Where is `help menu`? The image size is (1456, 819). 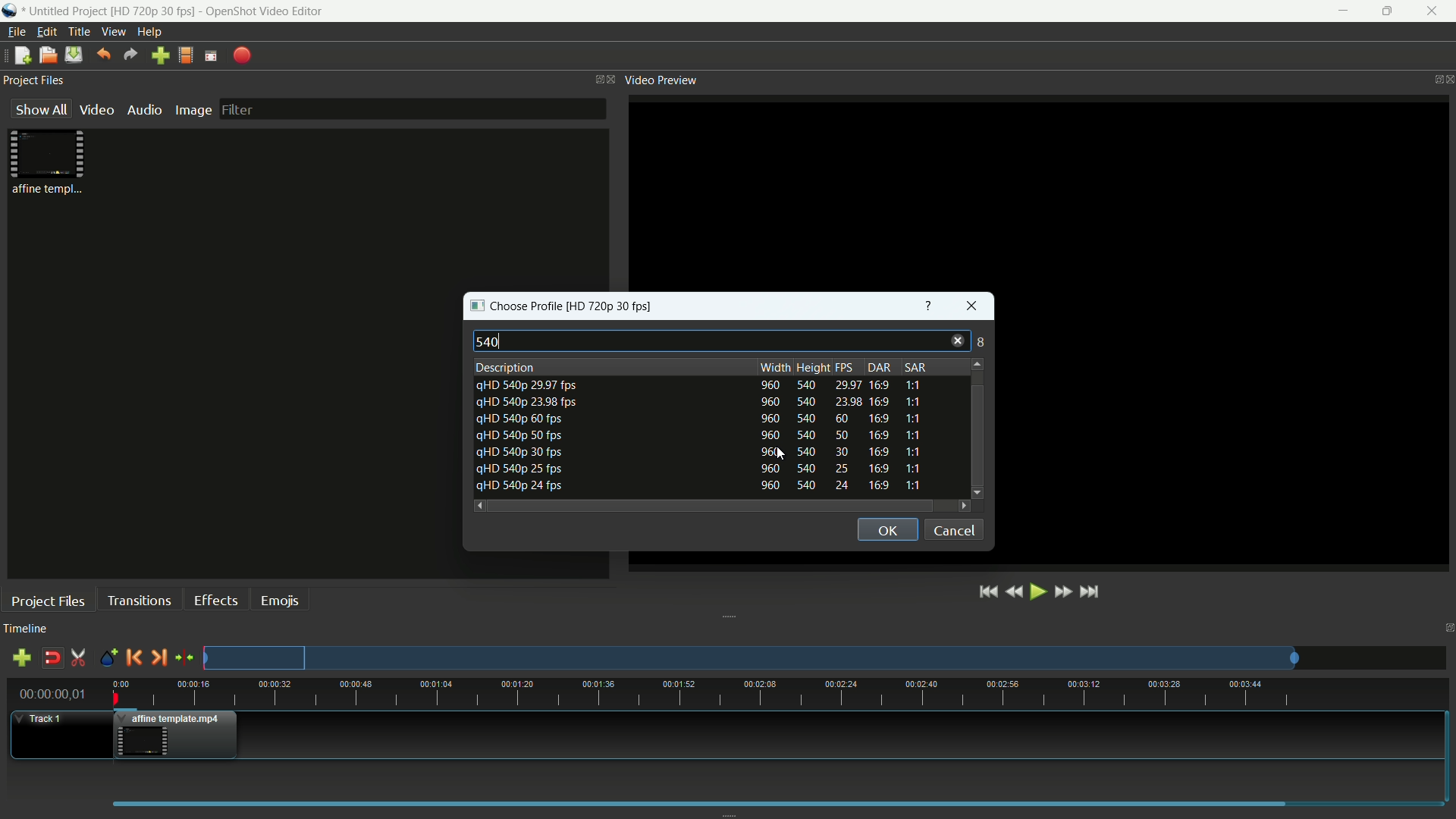 help menu is located at coordinates (149, 32).